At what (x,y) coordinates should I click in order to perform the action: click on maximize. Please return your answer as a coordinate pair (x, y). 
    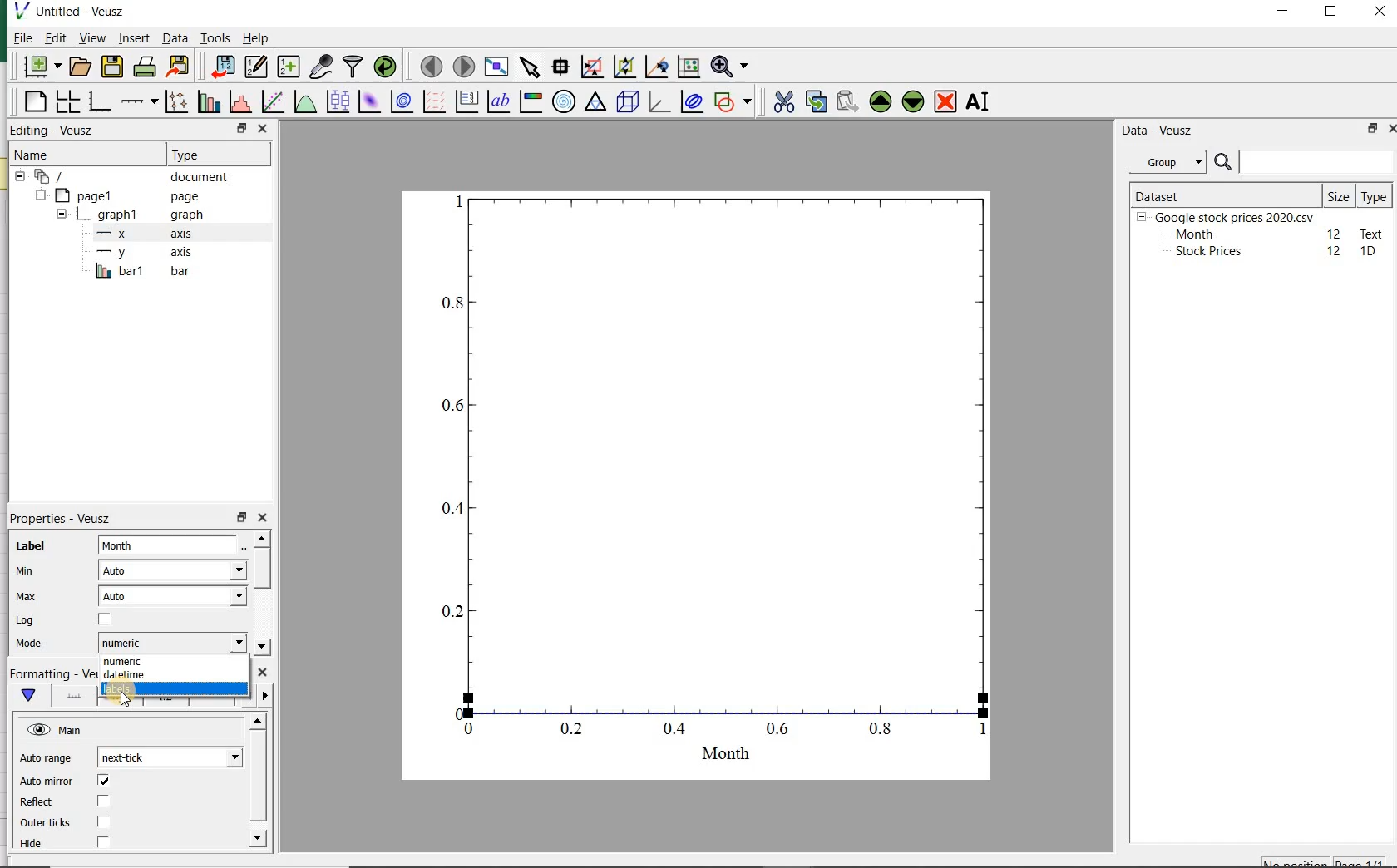
    Looking at the image, I should click on (1334, 13).